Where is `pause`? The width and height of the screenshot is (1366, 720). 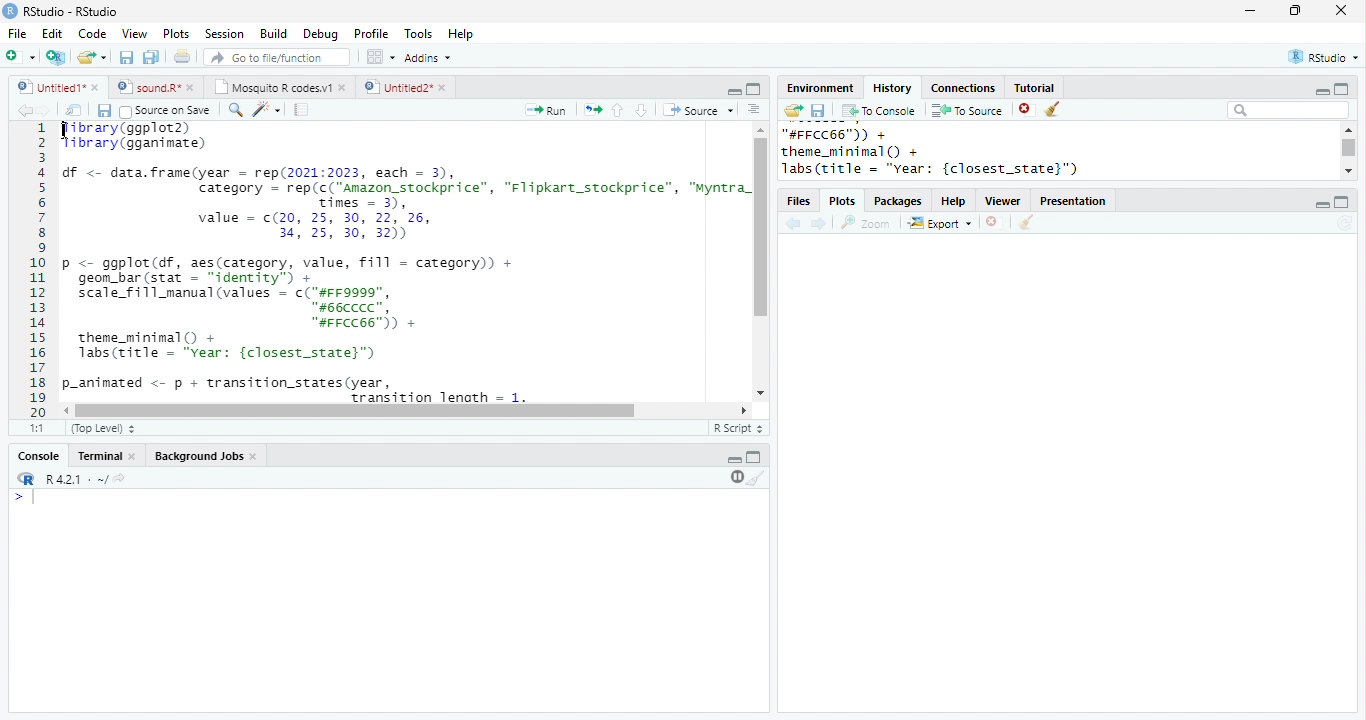
pause is located at coordinates (735, 478).